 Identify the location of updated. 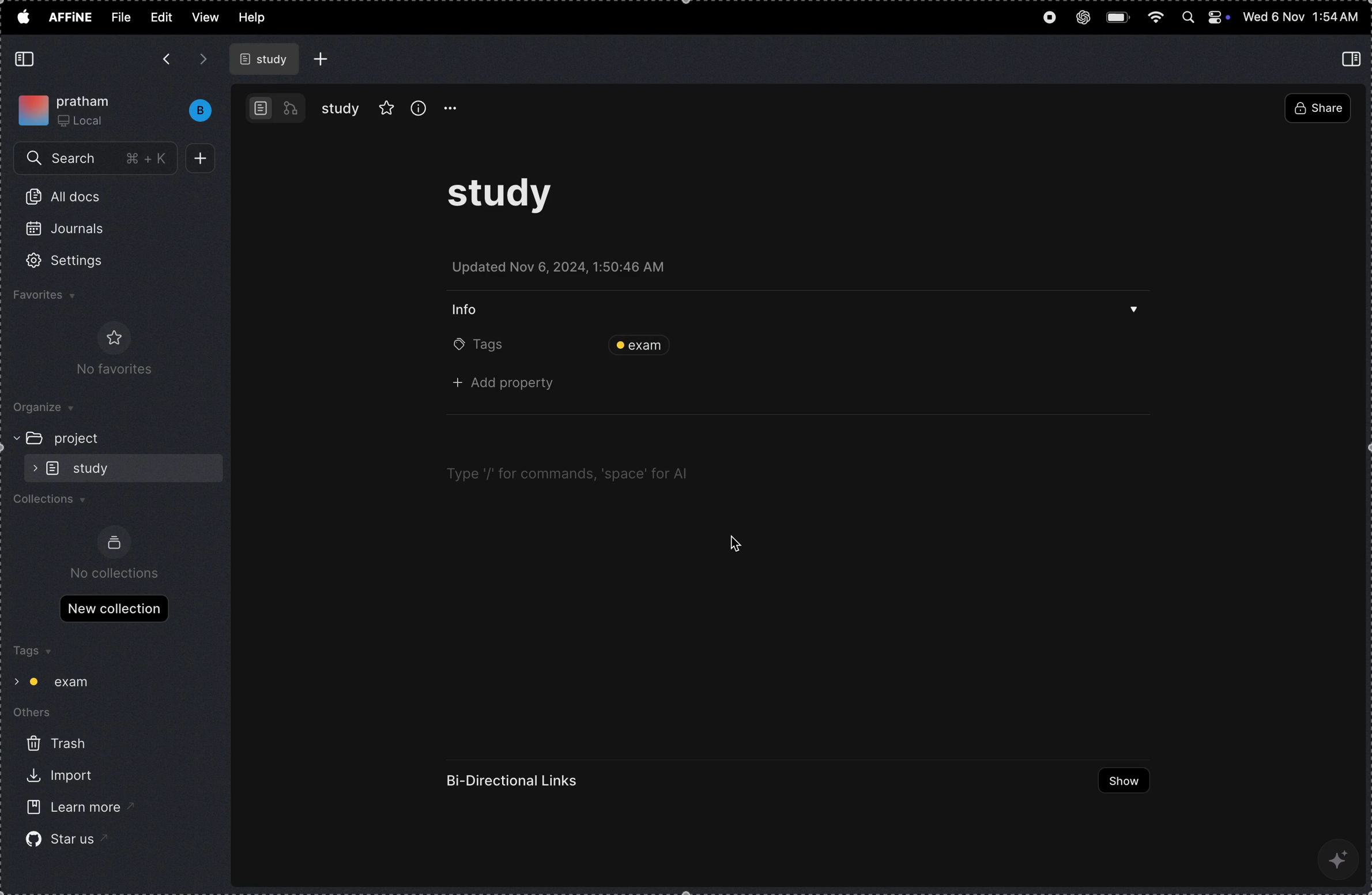
(569, 270).